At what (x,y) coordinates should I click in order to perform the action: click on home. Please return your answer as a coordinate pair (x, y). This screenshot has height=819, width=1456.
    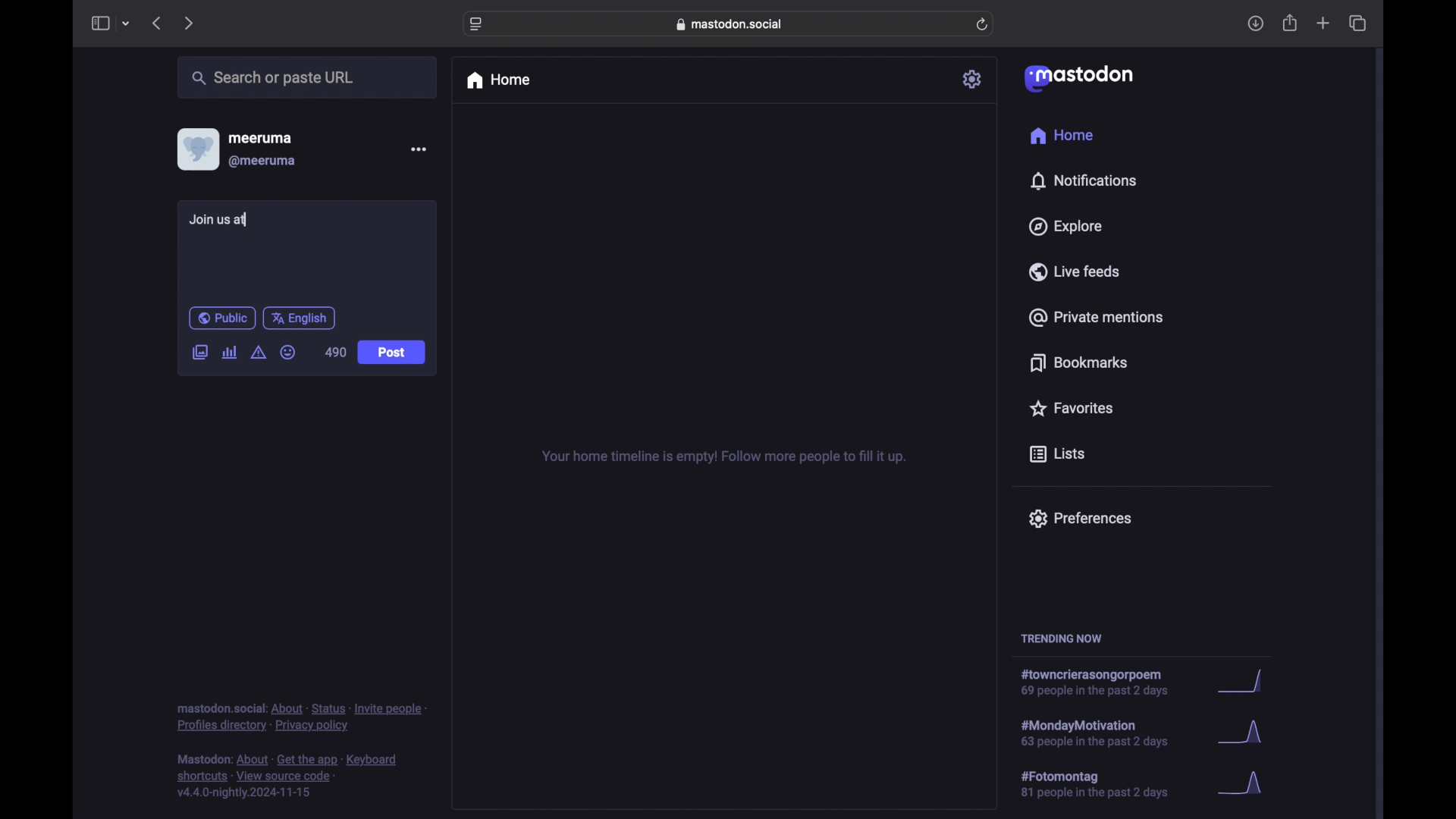
    Looking at the image, I should click on (1061, 136).